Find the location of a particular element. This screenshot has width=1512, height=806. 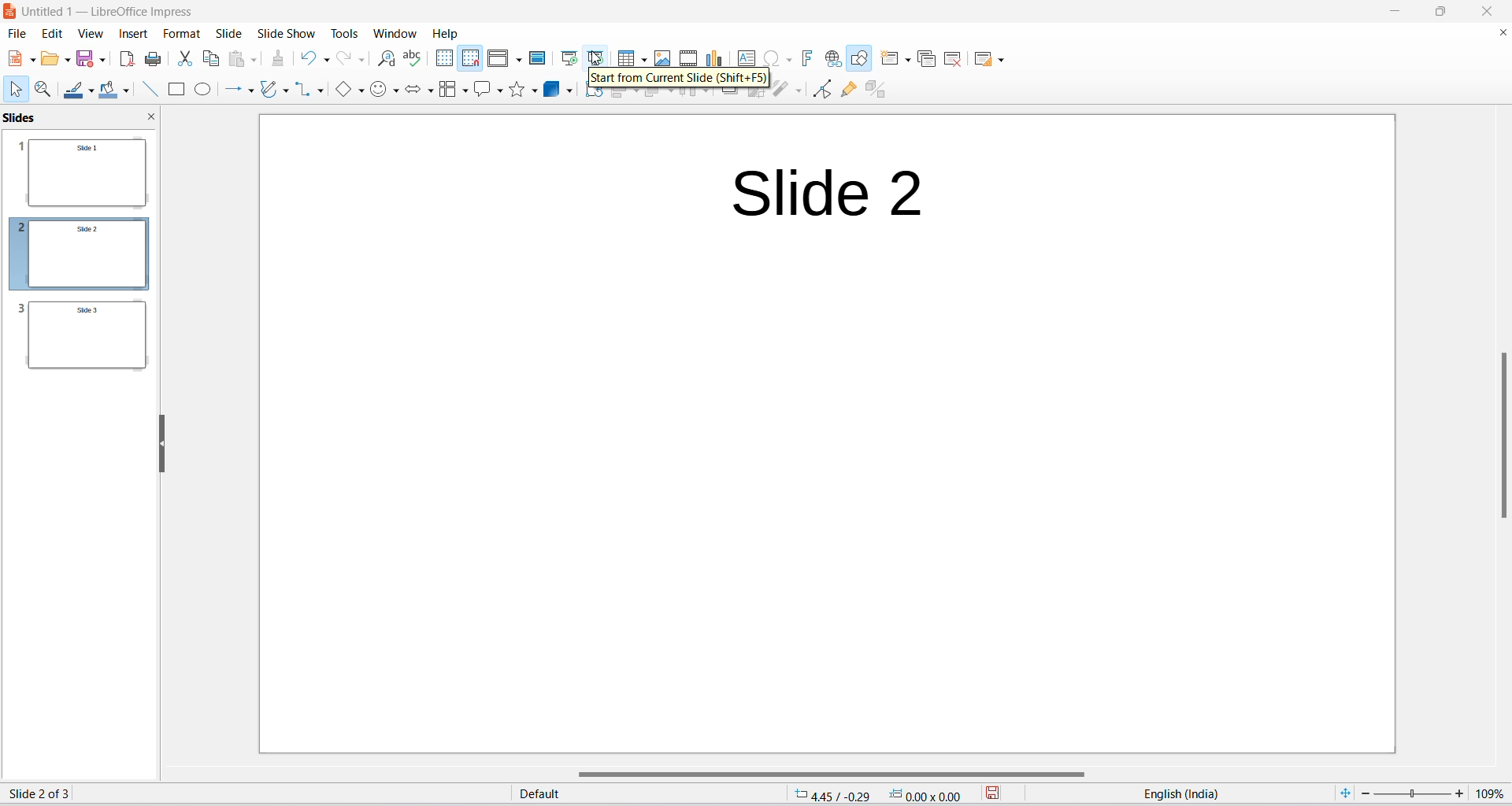

cursor is located at coordinates (599, 56).